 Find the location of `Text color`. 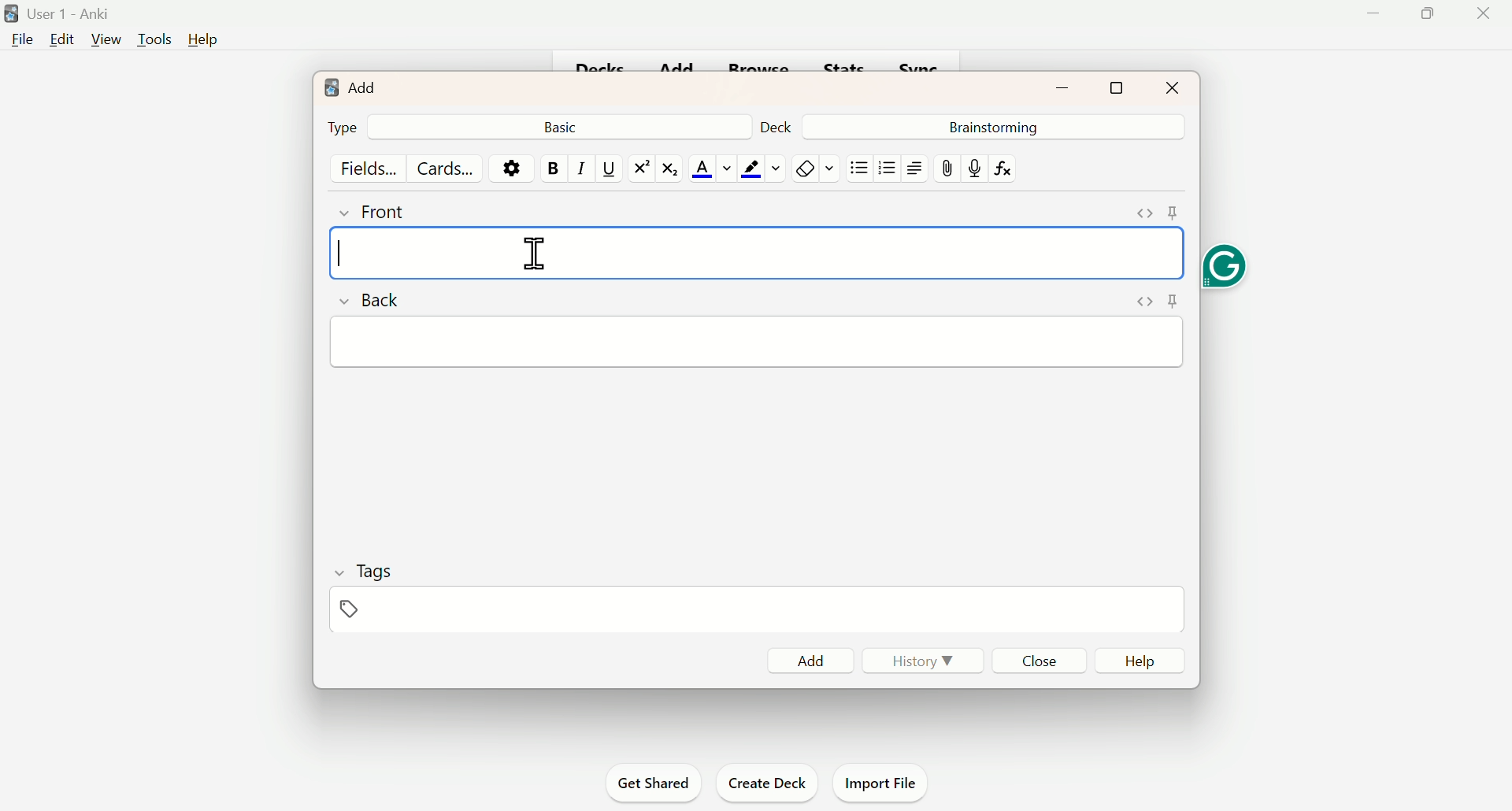

Text color is located at coordinates (712, 168).